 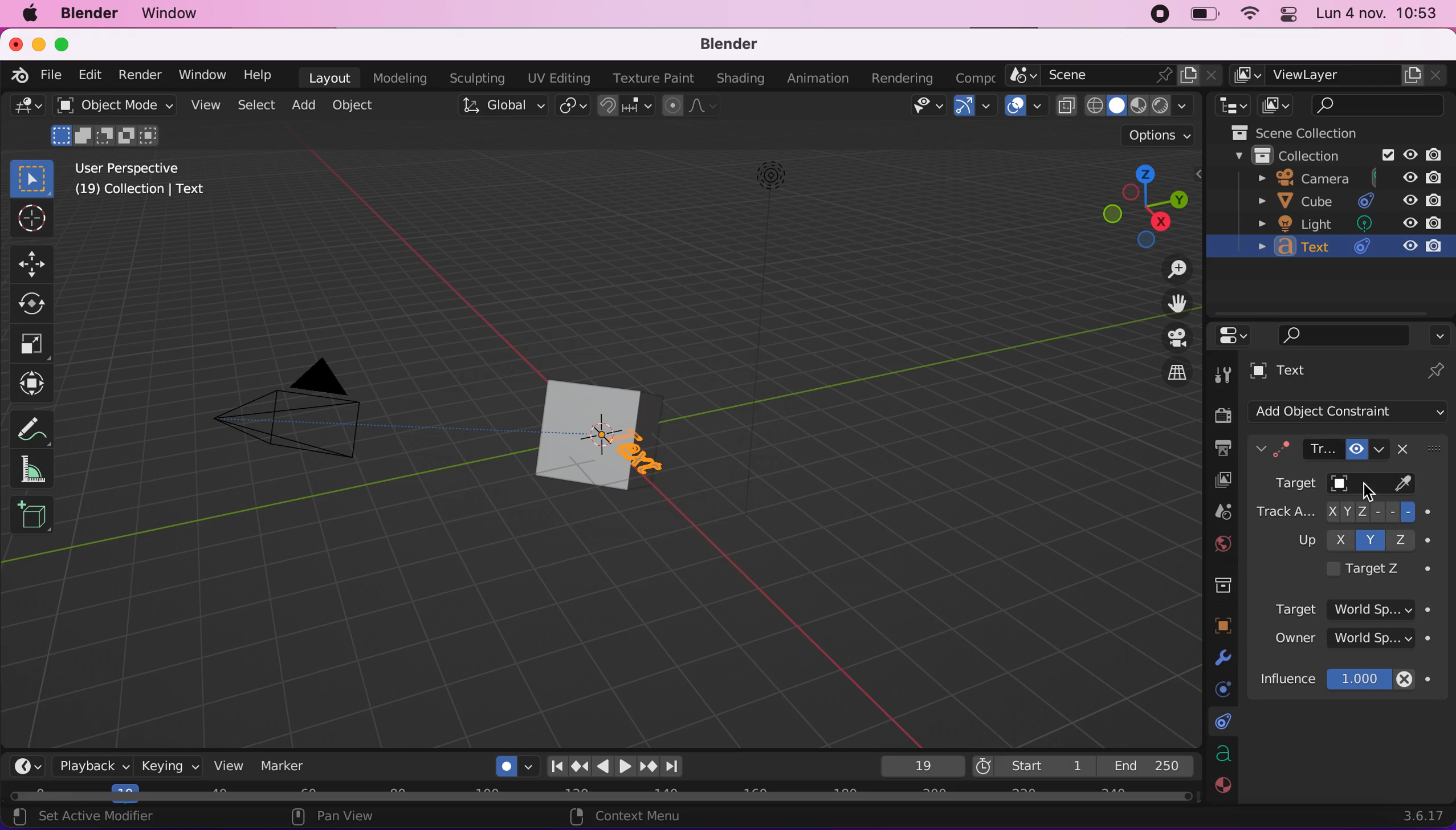 I want to click on viewlayer, so click(x=1337, y=76).